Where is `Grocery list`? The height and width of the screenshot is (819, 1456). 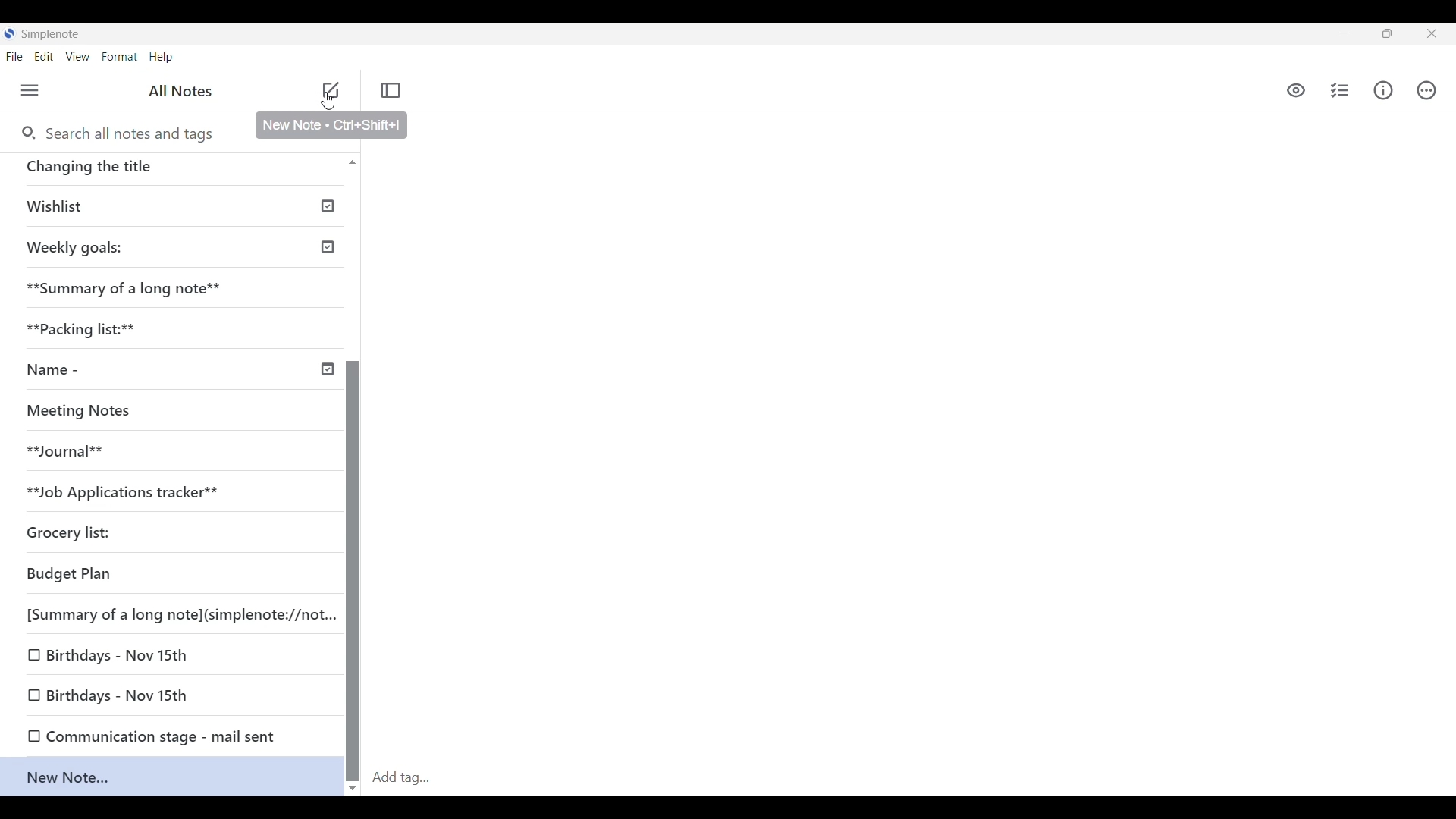
Grocery list is located at coordinates (69, 532).